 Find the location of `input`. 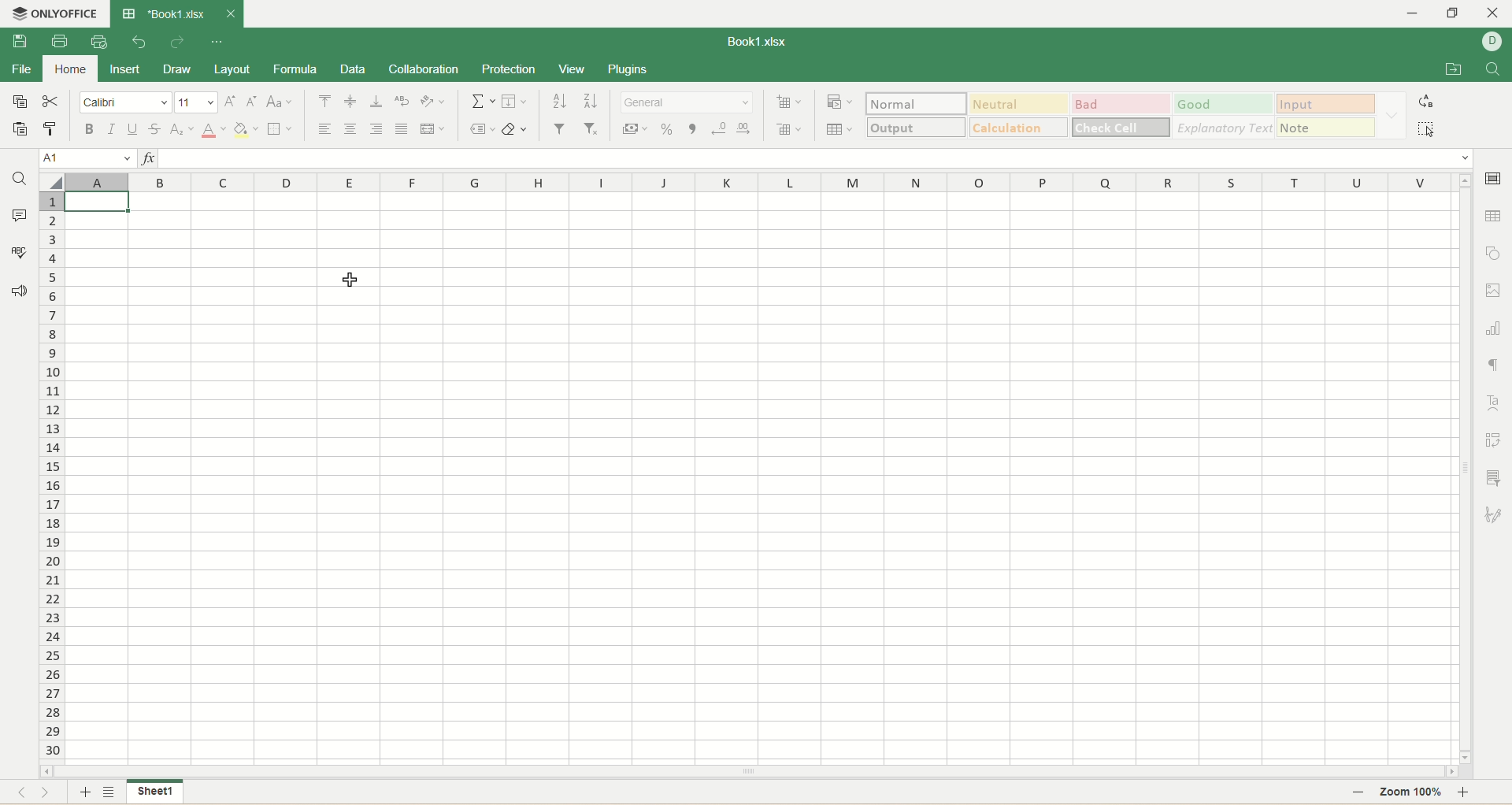

input is located at coordinates (1325, 103).